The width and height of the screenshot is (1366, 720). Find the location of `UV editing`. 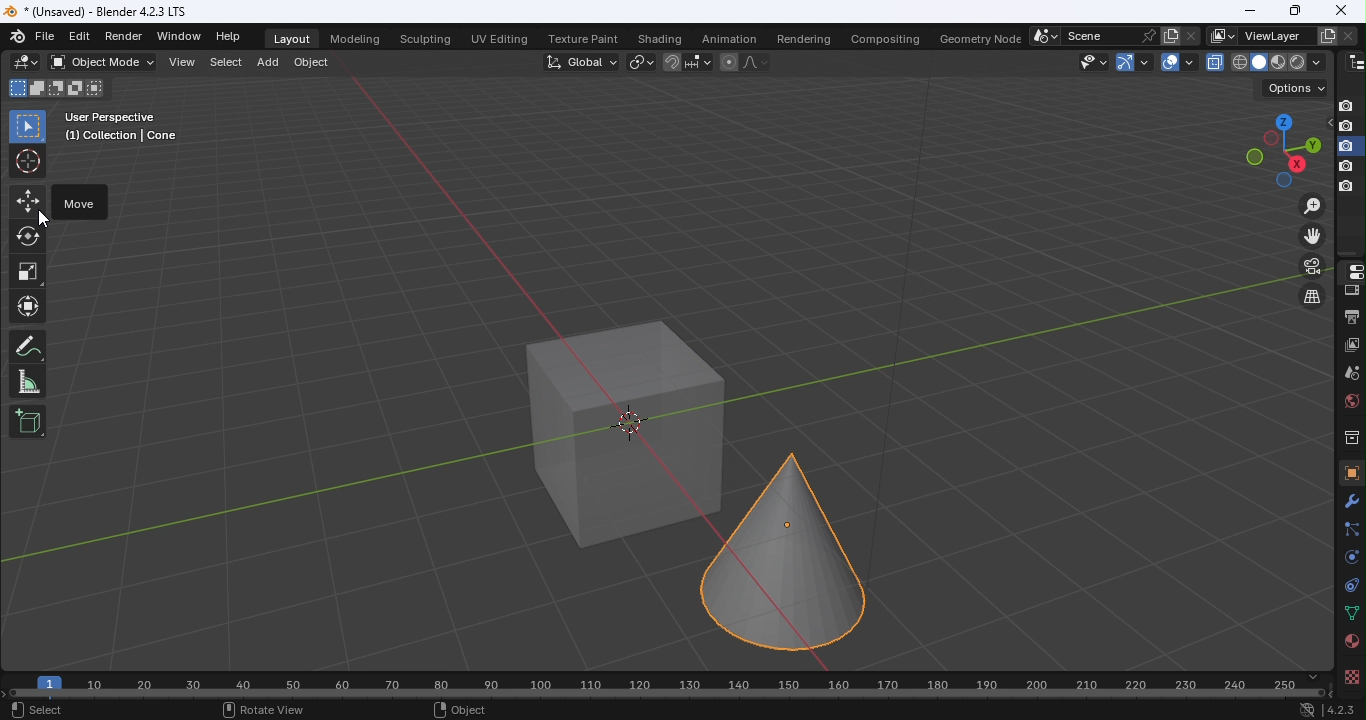

UV editing is located at coordinates (503, 36).